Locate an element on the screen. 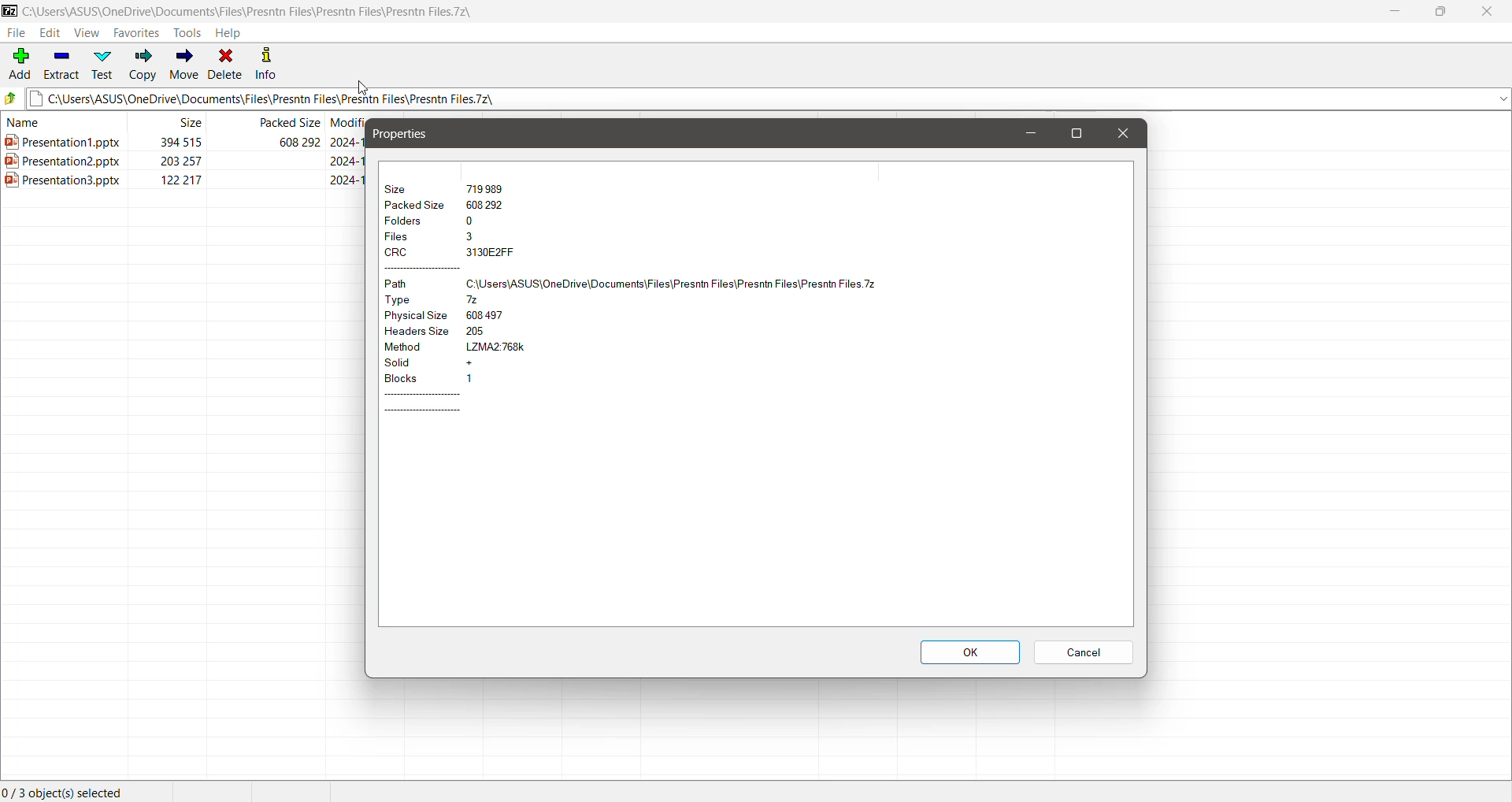 This screenshot has height=802, width=1512. c\Users\ASUS\OneDrive\Documents\Files\Presntn Files\Presntn Files\presntn is located at coordinates (769, 101).